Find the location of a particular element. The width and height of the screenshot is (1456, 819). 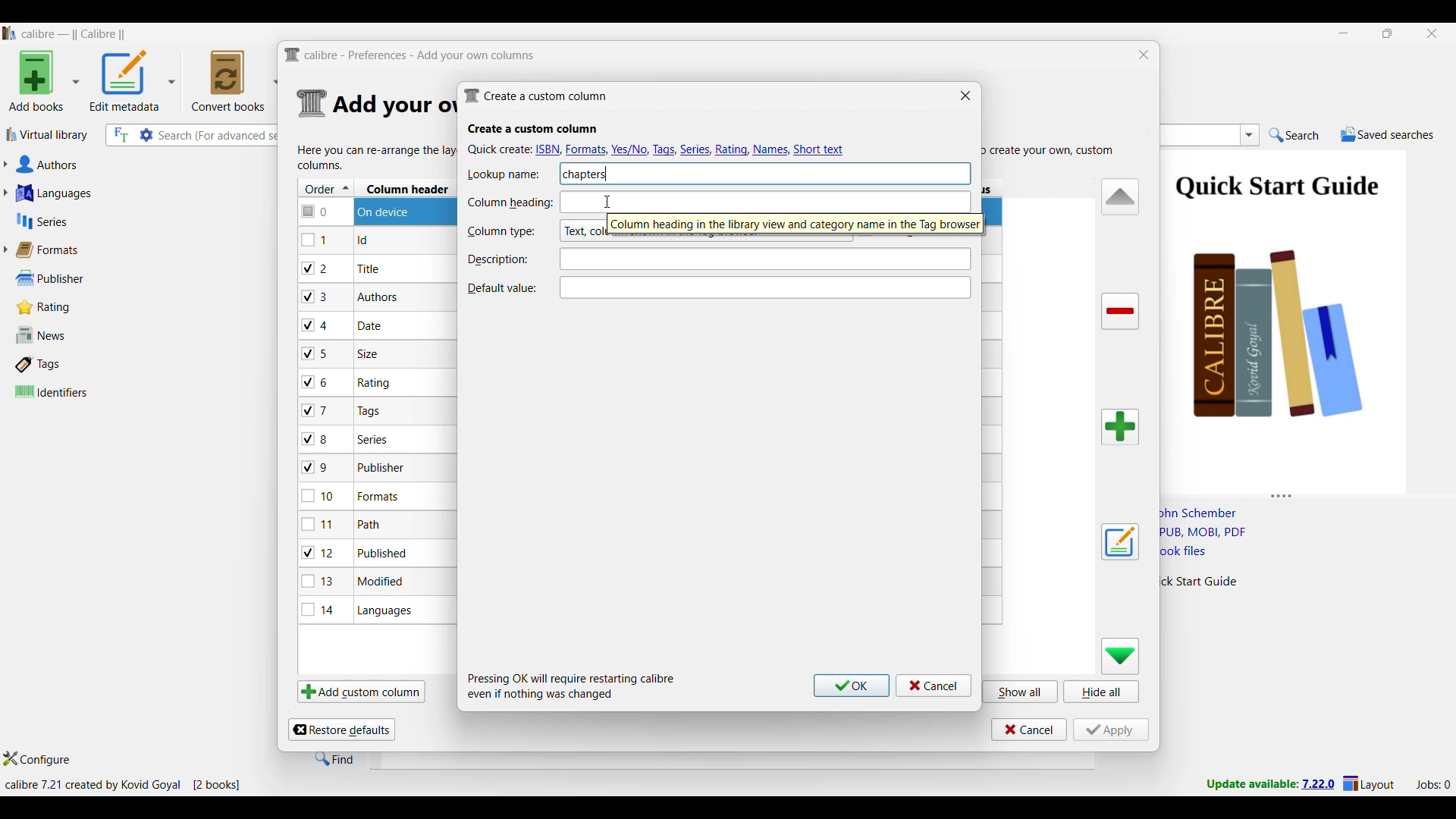

Current jobs is located at coordinates (1432, 785).